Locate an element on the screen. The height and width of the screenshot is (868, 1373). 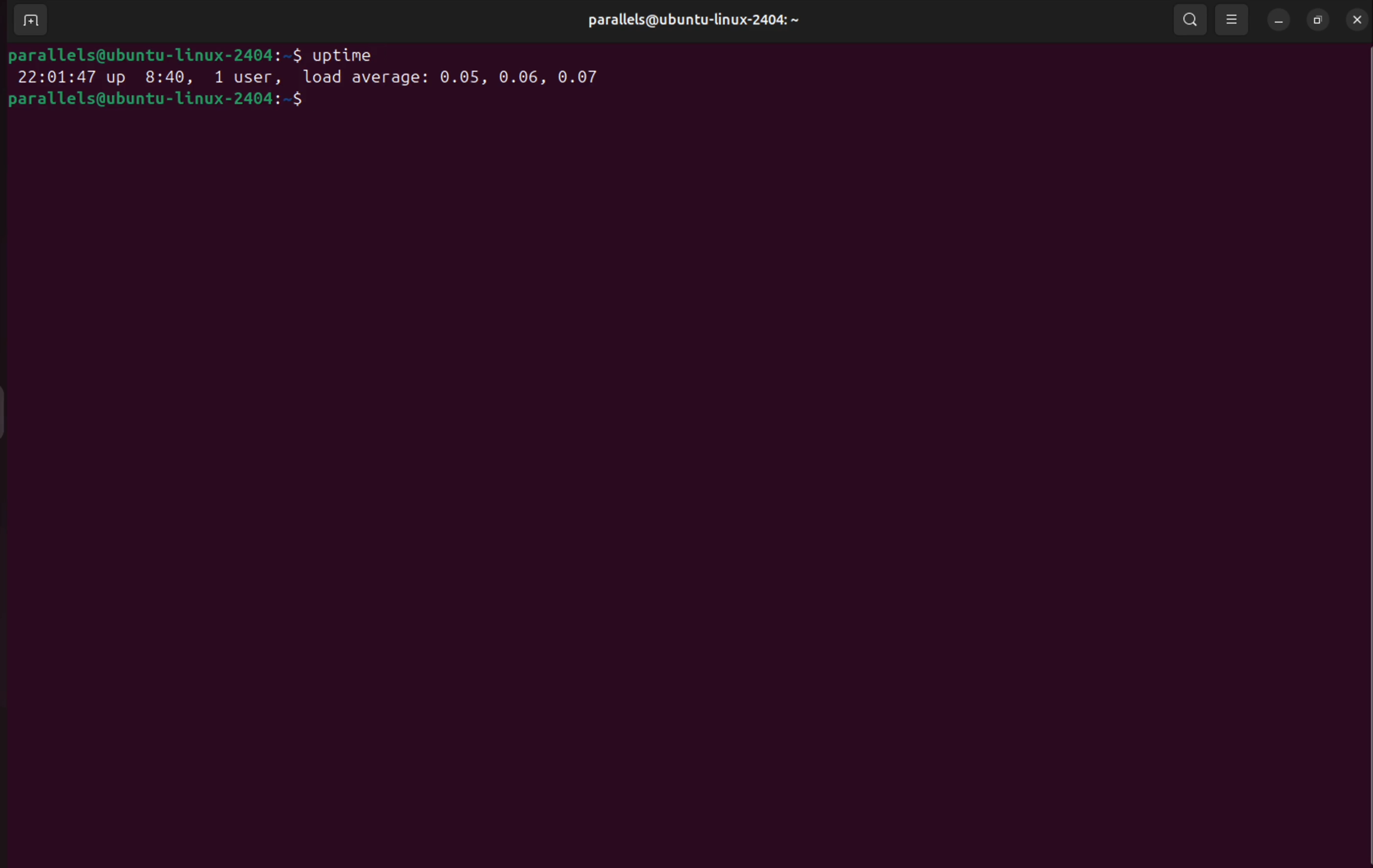
search is located at coordinates (1191, 21).